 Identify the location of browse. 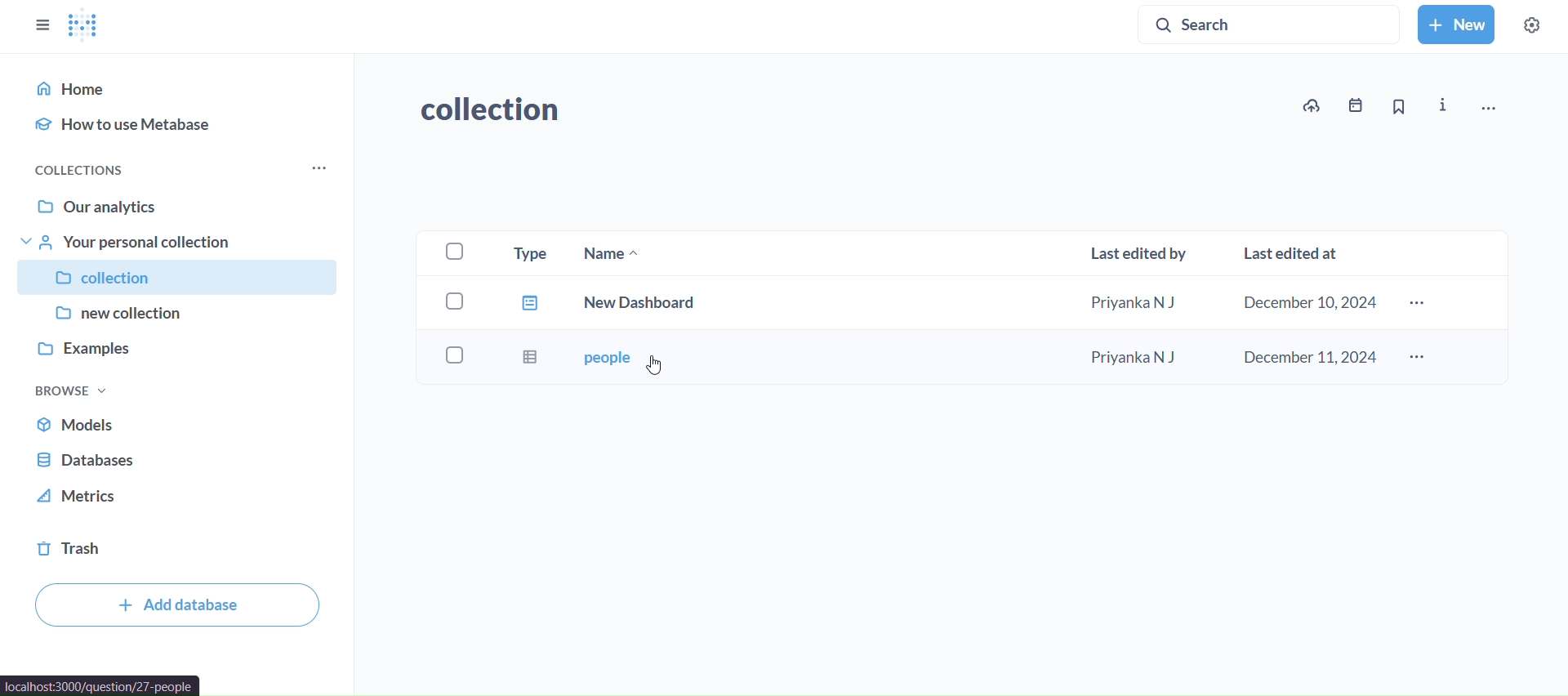
(69, 389).